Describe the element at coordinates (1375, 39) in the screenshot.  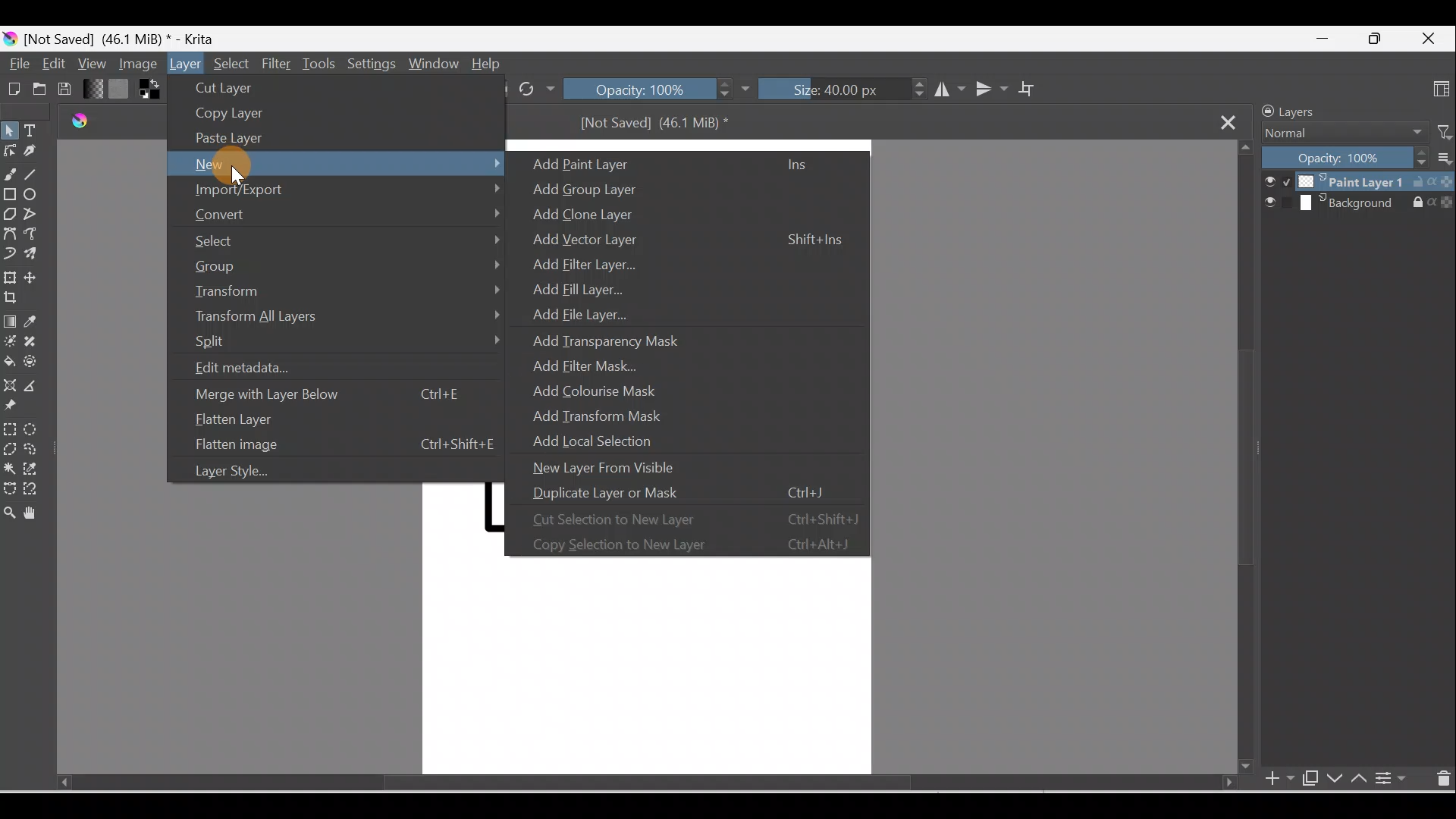
I see `Maximize` at that location.